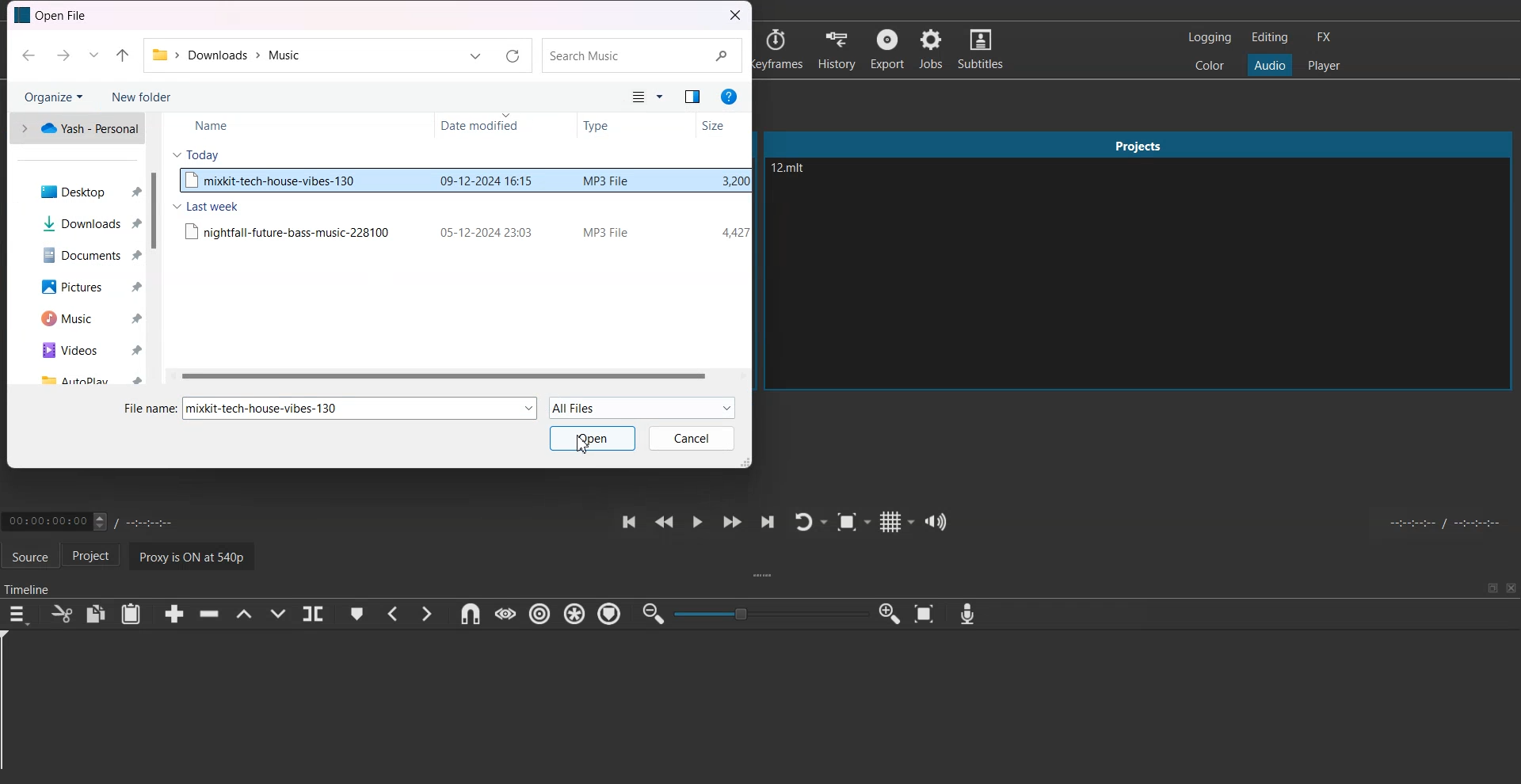 This screenshot has width=1521, height=784. Describe the element at coordinates (780, 48) in the screenshot. I see `Keyframes` at that location.